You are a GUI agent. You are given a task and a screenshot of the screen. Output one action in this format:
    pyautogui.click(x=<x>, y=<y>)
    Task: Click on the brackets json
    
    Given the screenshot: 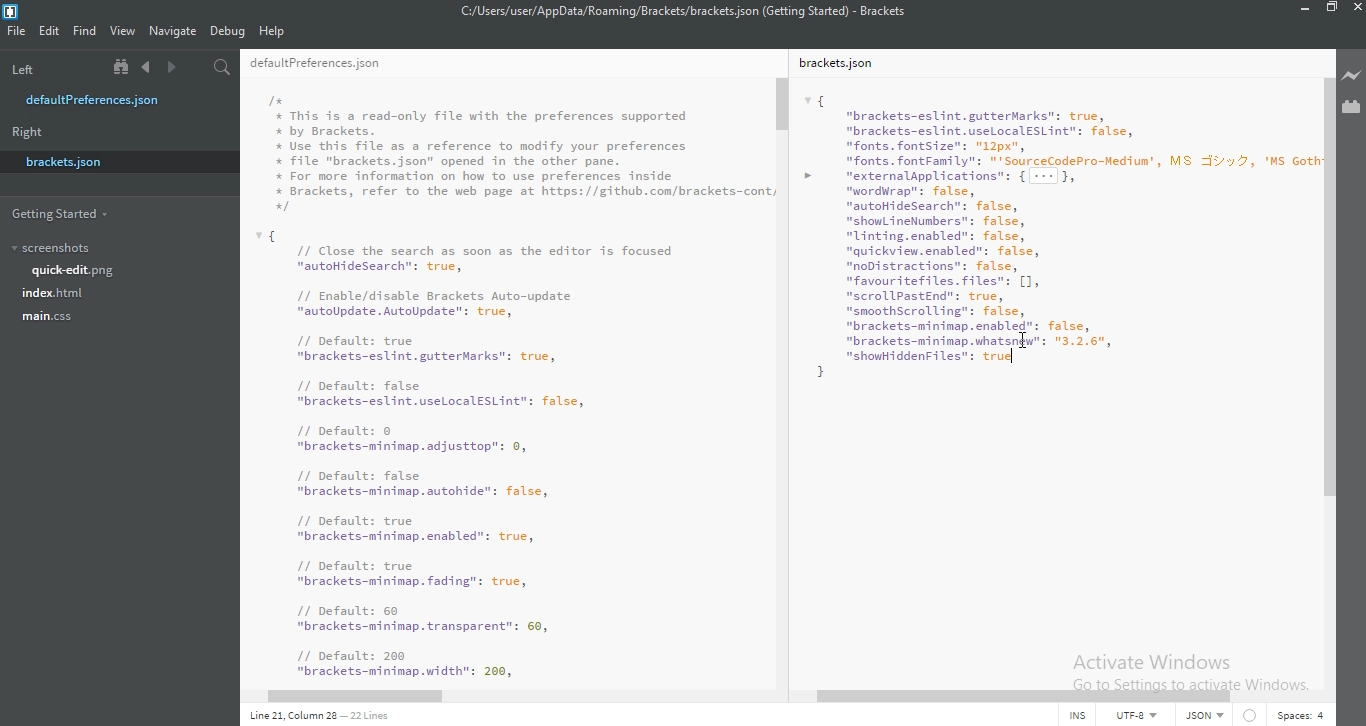 What is the action you would take?
    pyautogui.click(x=844, y=61)
    